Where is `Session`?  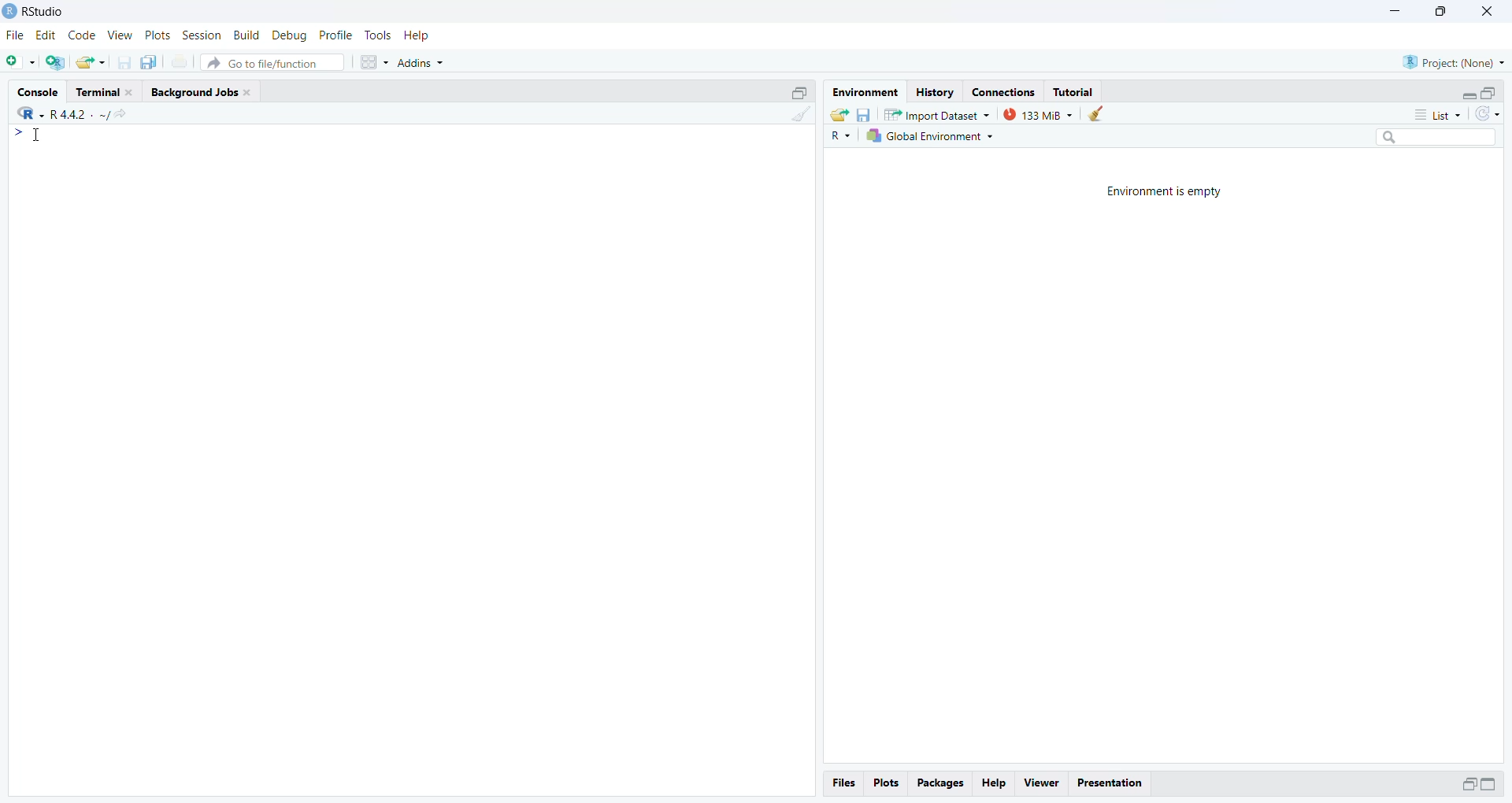
Session is located at coordinates (202, 34).